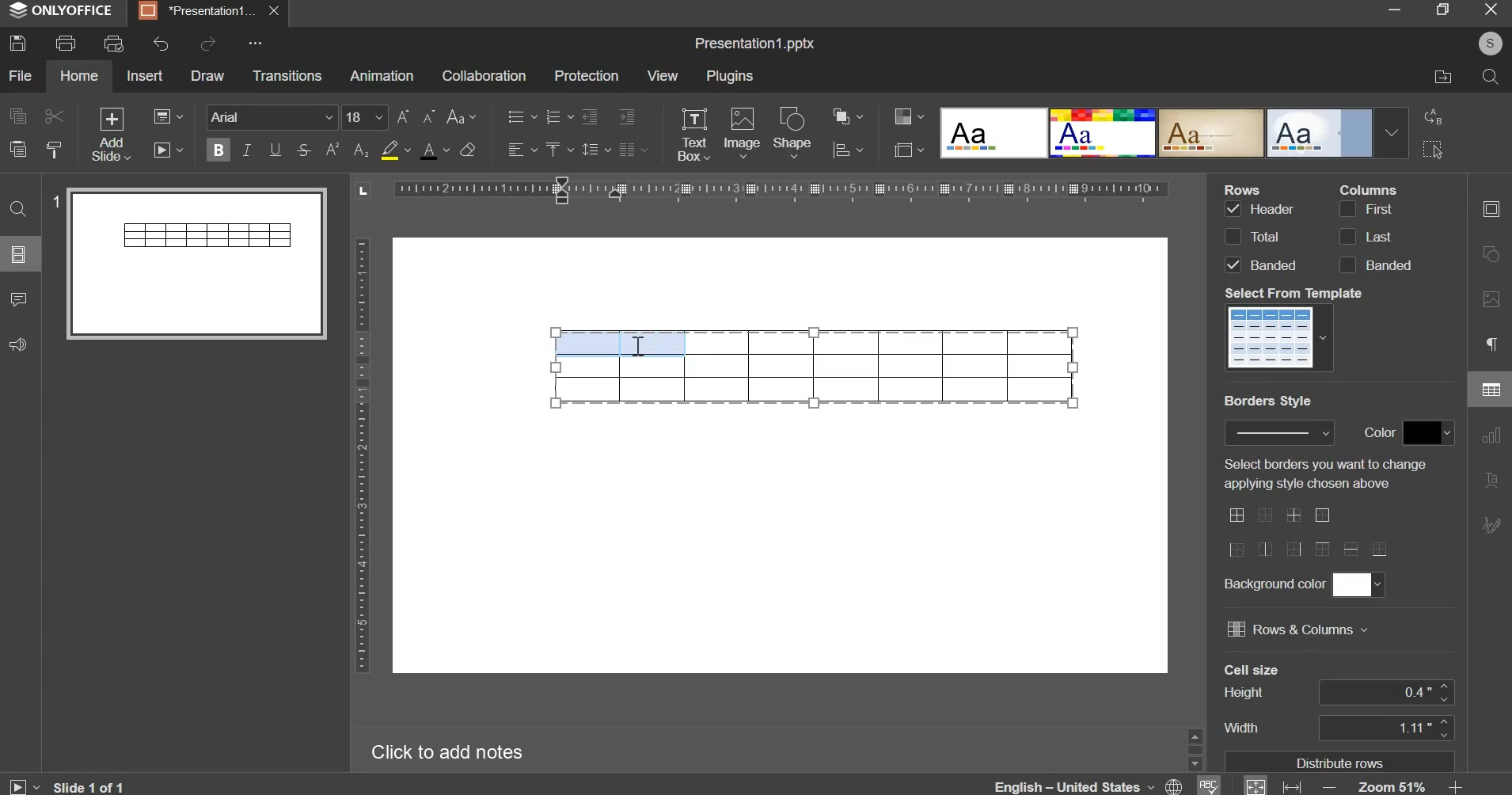  What do you see at coordinates (483, 75) in the screenshot?
I see `collaboration` at bounding box center [483, 75].